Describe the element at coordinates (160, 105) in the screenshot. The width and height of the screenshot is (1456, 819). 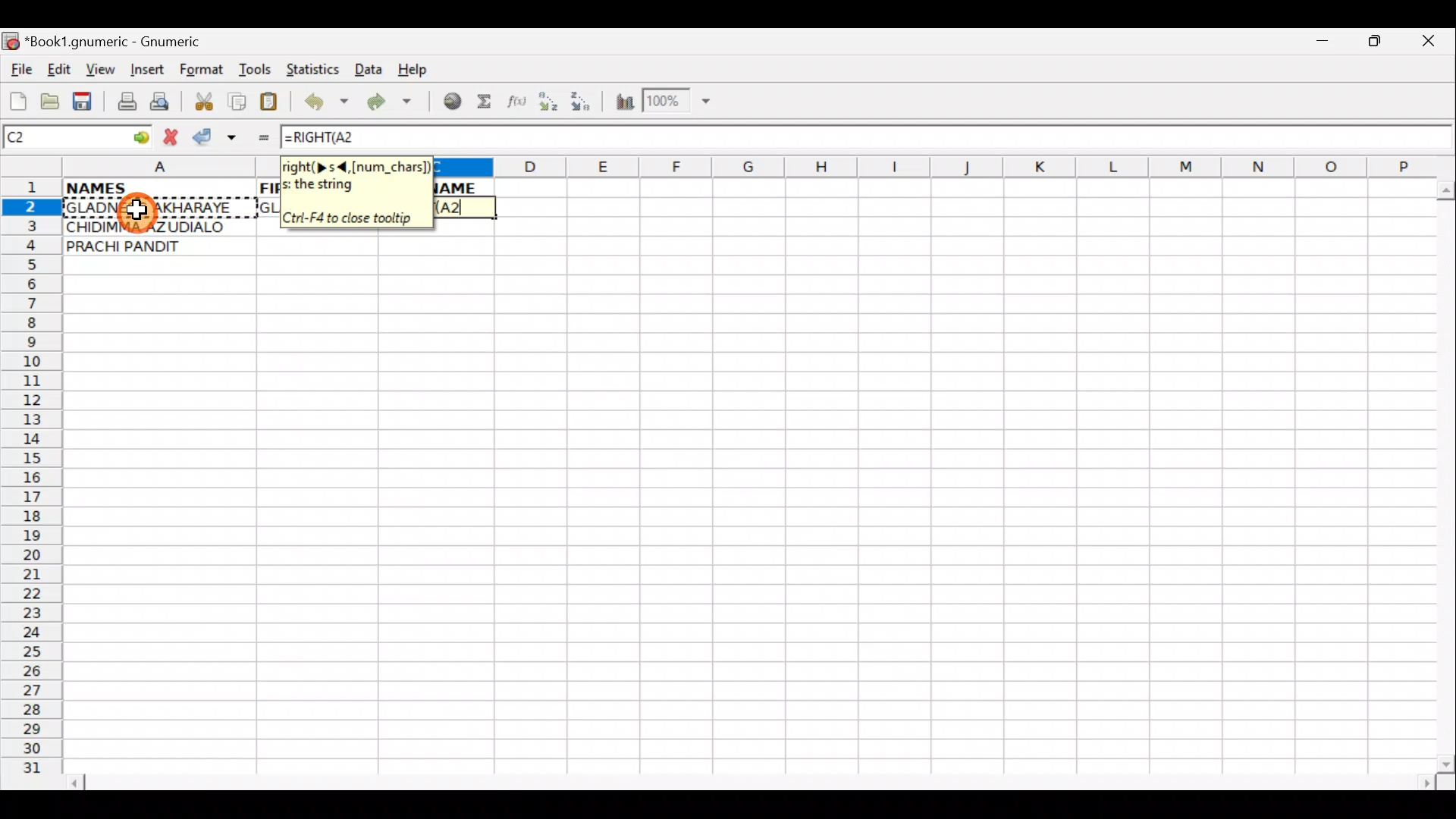
I see `Print preview` at that location.